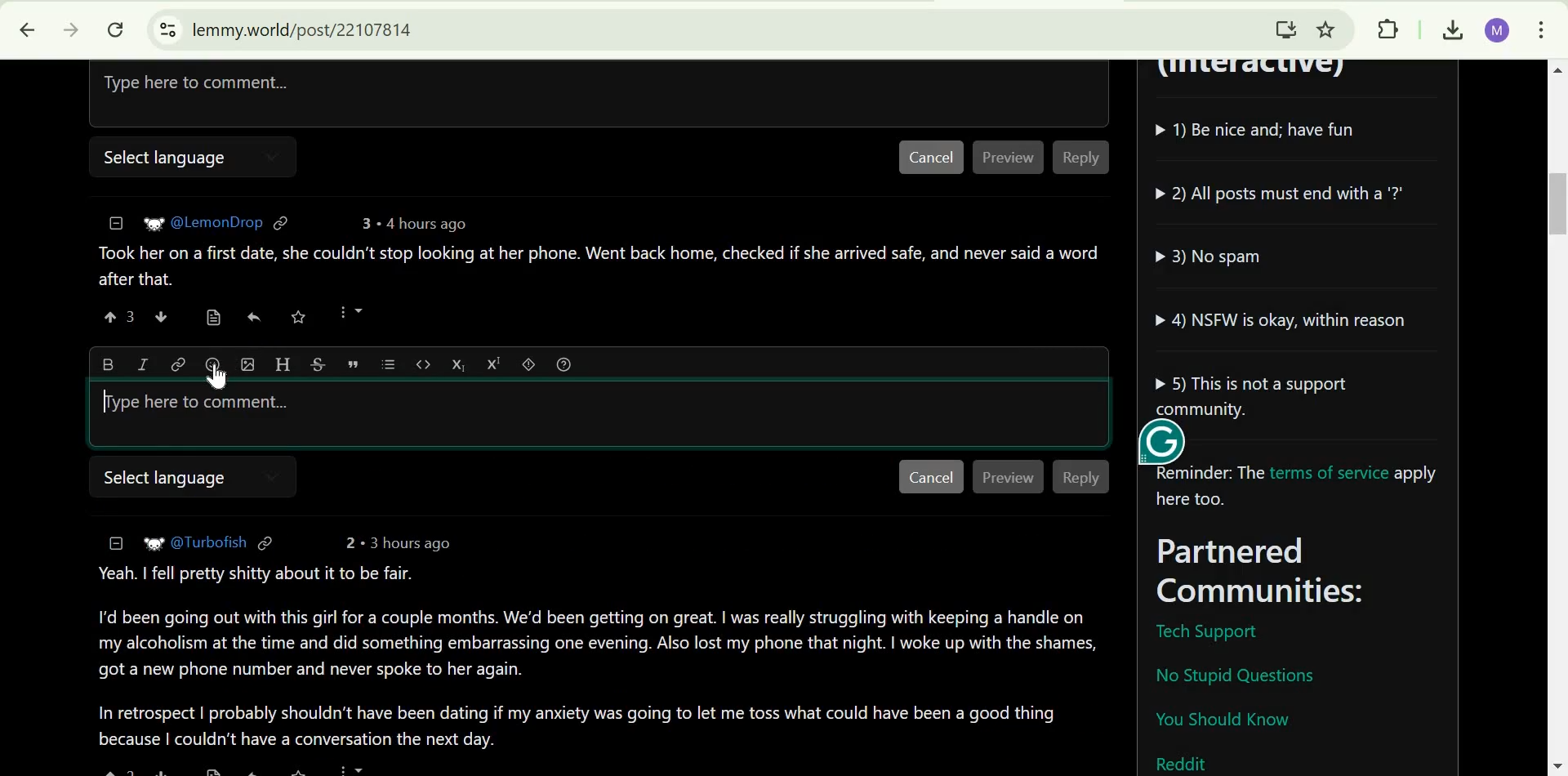  Describe the element at coordinates (218, 378) in the screenshot. I see `cursor` at that location.